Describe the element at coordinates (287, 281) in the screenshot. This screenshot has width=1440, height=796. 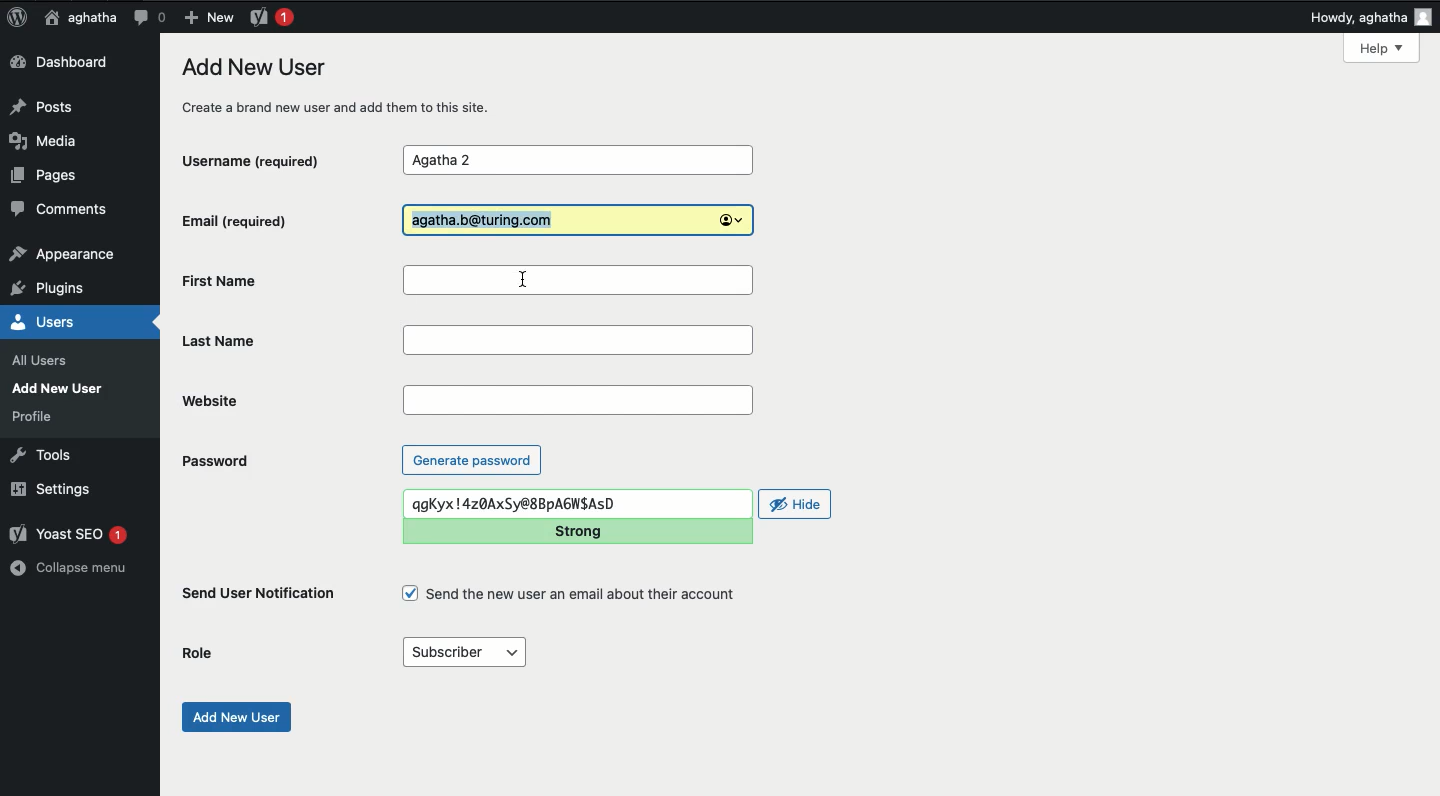
I see `First Name` at that location.